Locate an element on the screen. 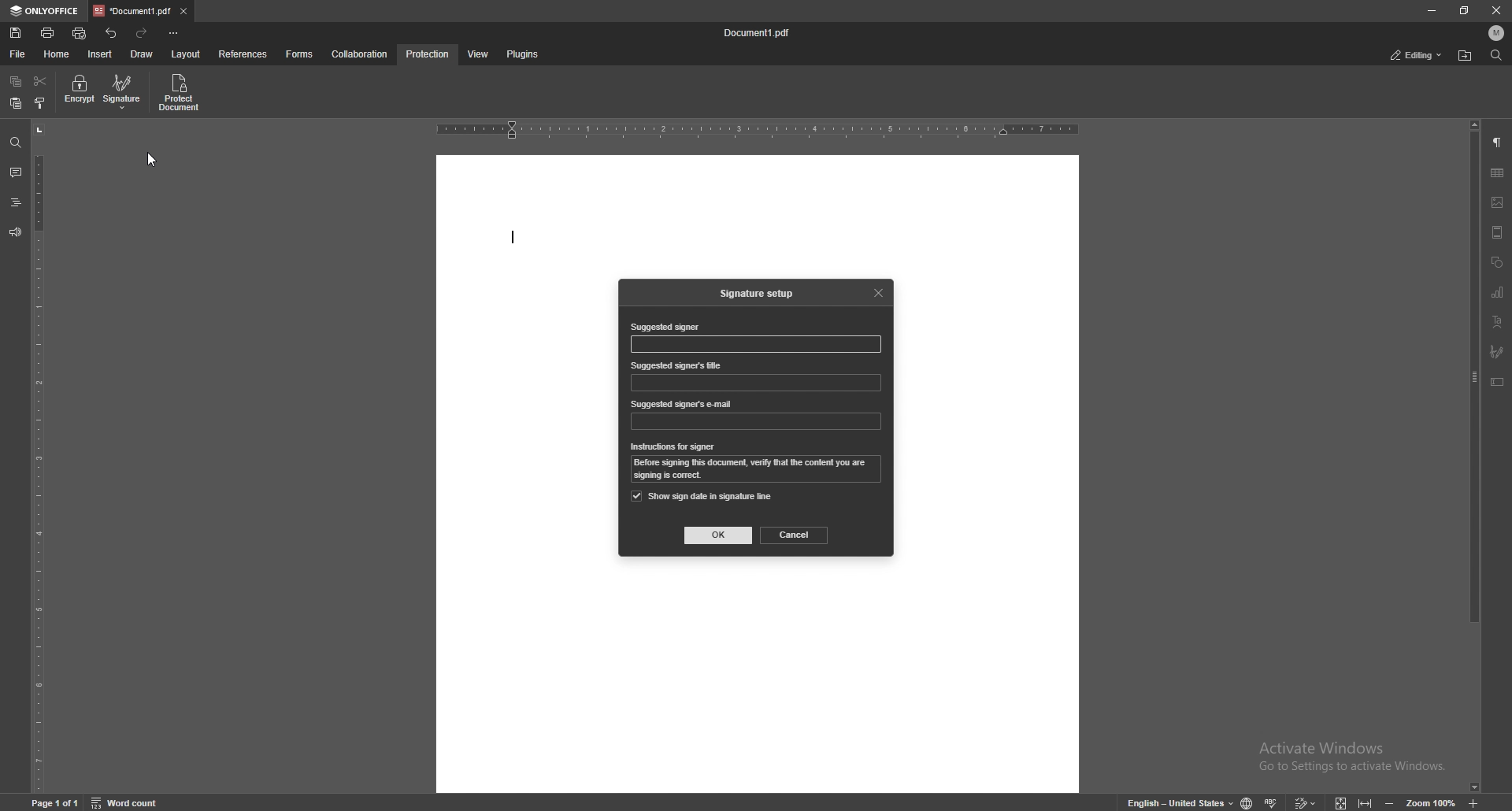  insert is located at coordinates (102, 54).